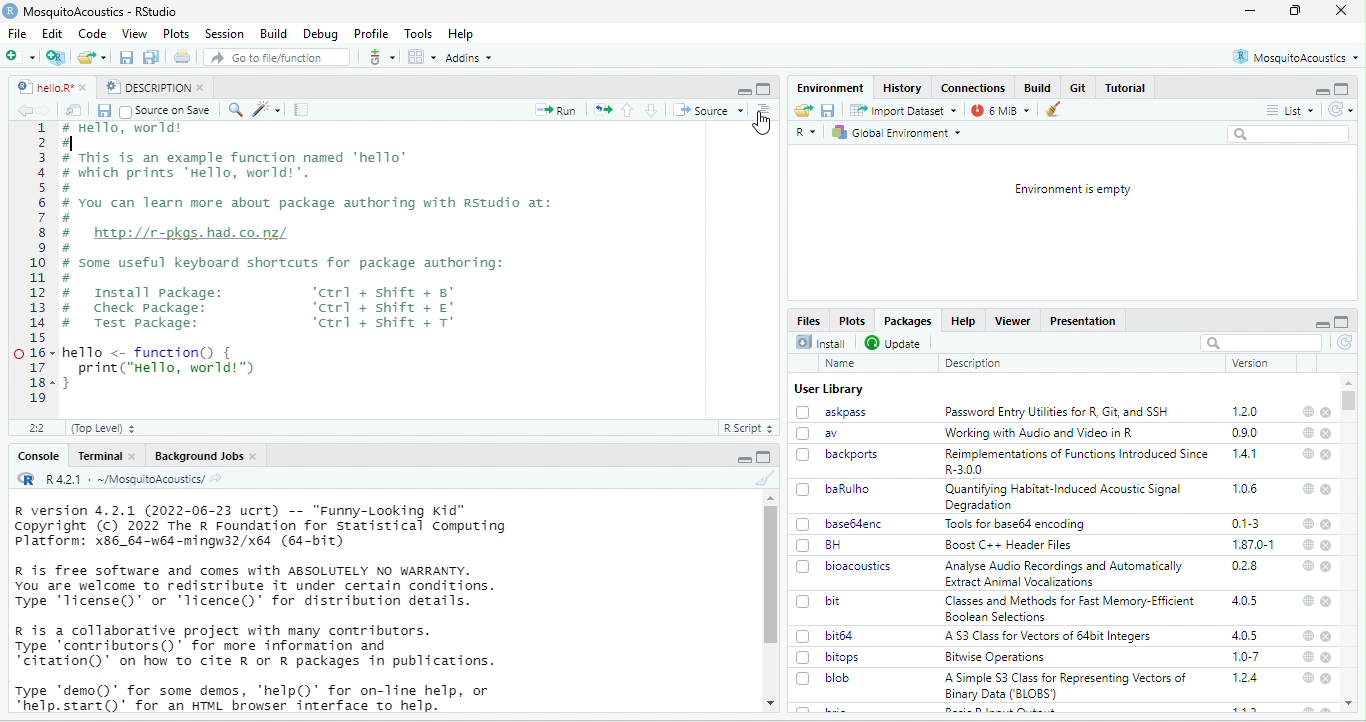  Describe the element at coordinates (1076, 462) in the screenshot. I see `Reimplementations of Functions Introduced Since R-3.00` at that location.